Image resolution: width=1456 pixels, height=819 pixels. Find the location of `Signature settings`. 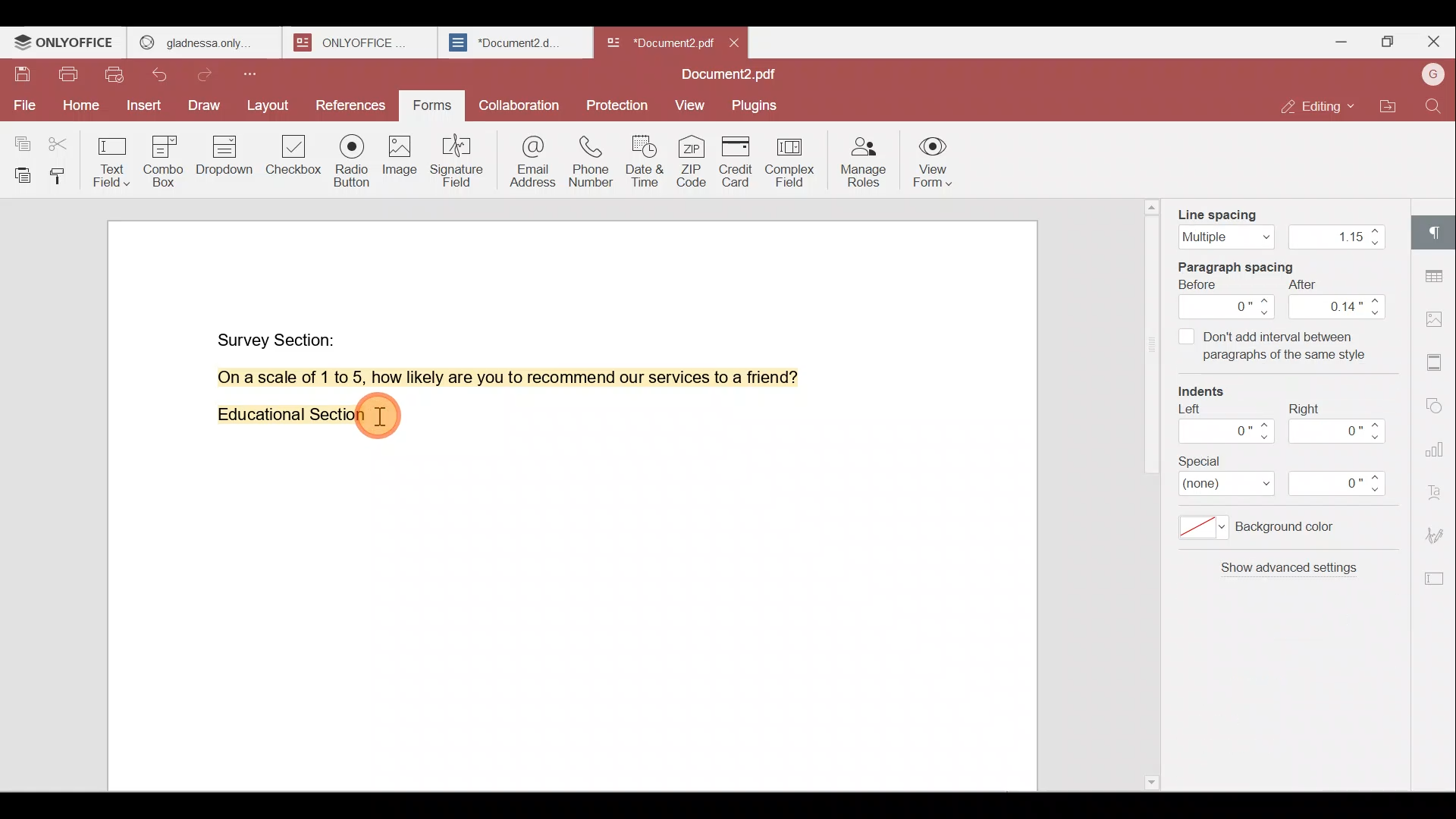

Signature settings is located at coordinates (1439, 534).